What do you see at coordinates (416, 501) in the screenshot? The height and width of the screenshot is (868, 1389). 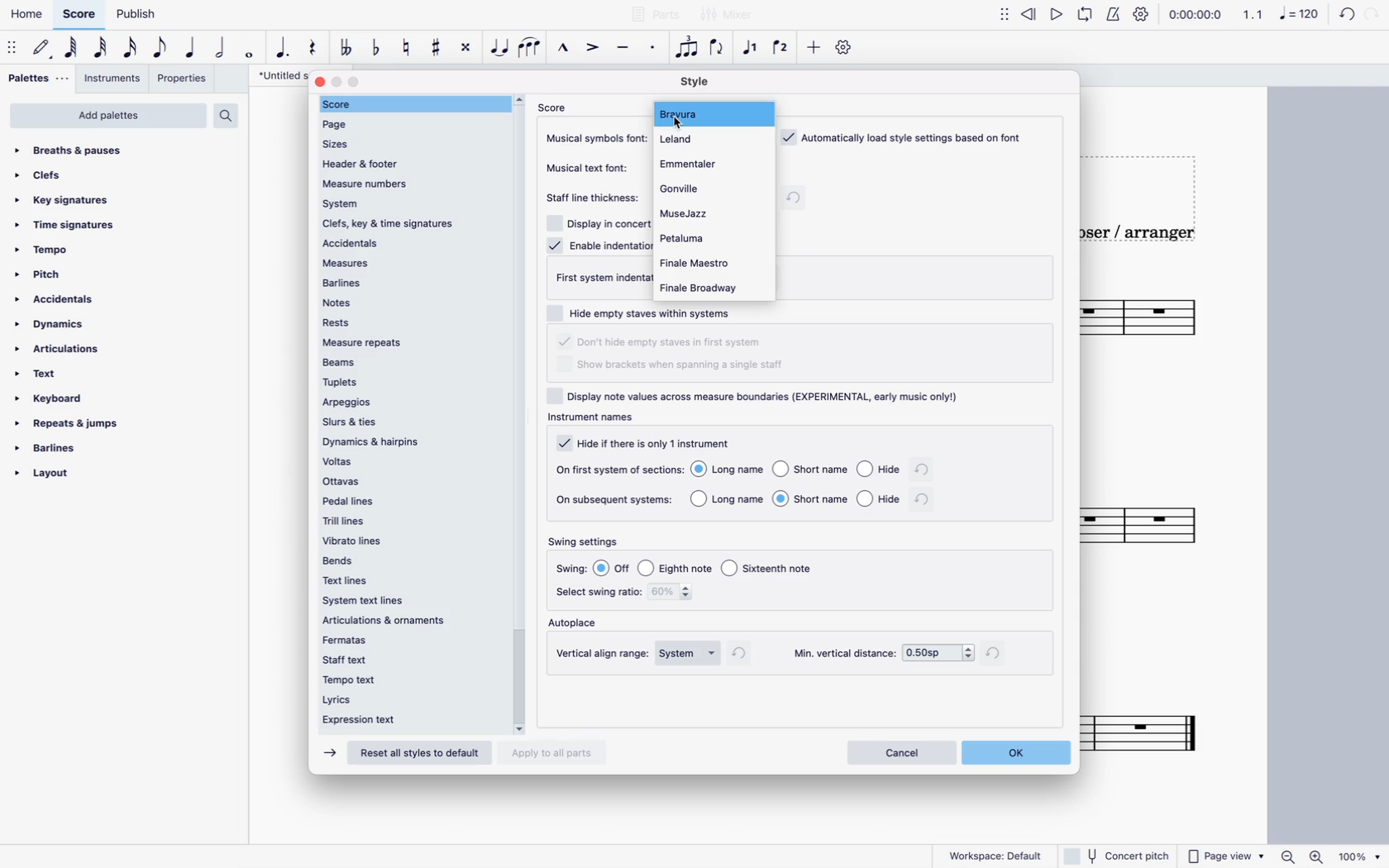 I see `pedal lines` at bounding box center [416, 501].